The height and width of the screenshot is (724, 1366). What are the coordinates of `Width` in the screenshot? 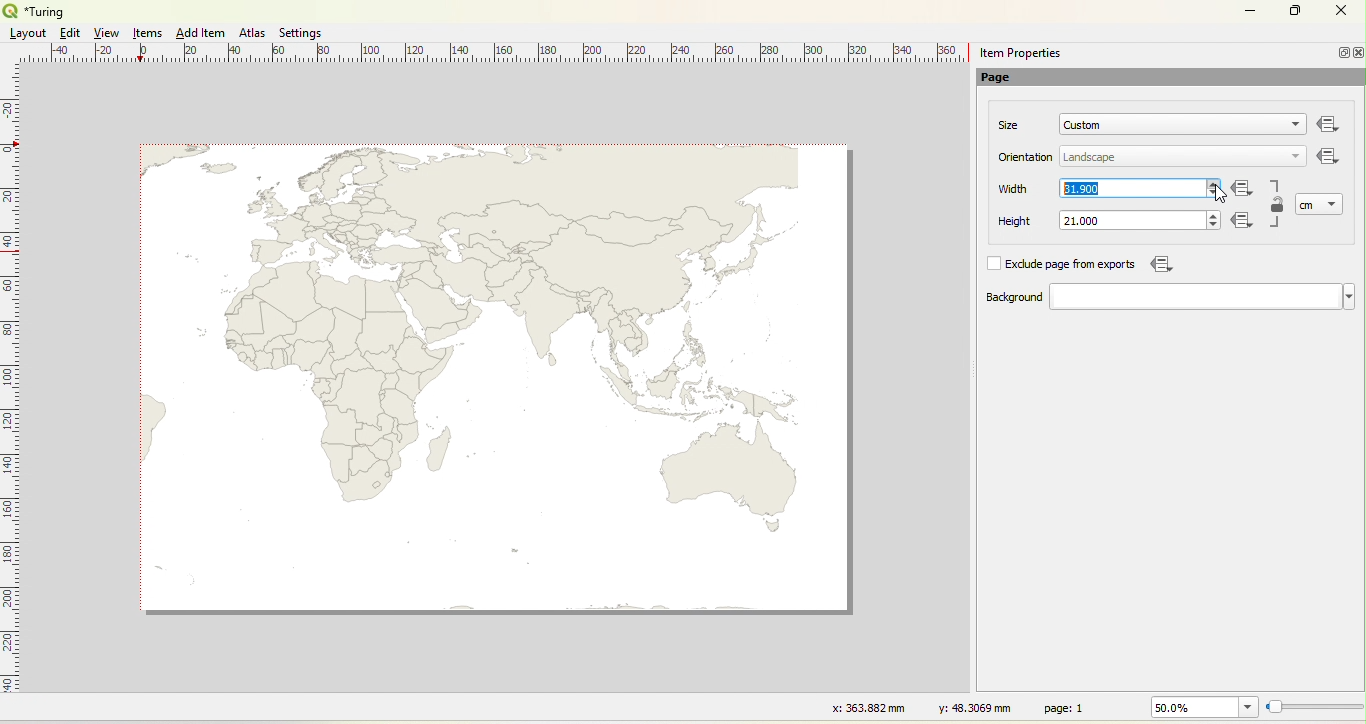 It's located at (1014, 189).